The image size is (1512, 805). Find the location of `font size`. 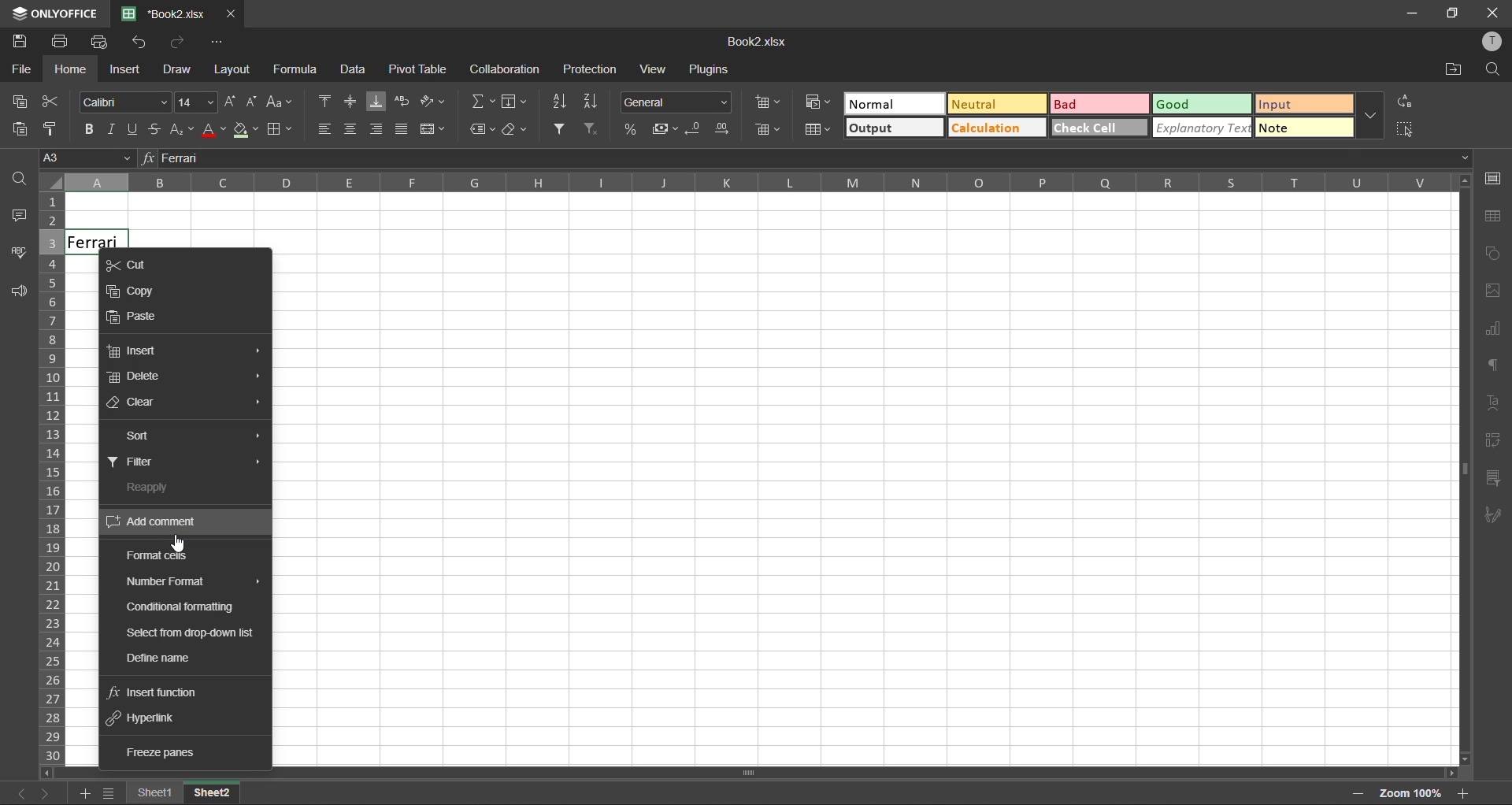

font size is located at coordinates (194, 102).